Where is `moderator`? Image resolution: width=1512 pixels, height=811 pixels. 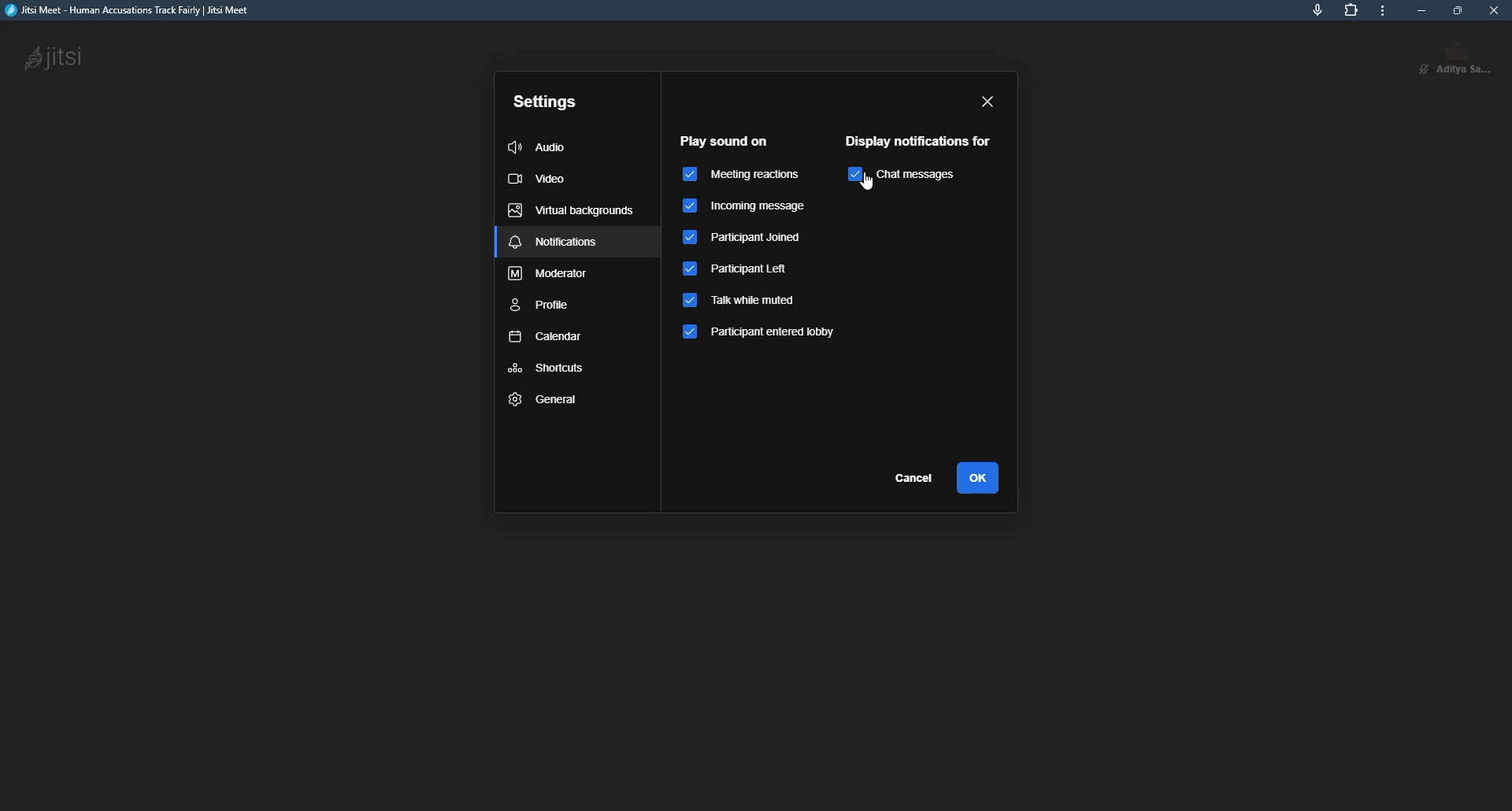
moderator is located at coordinates (550, 273).